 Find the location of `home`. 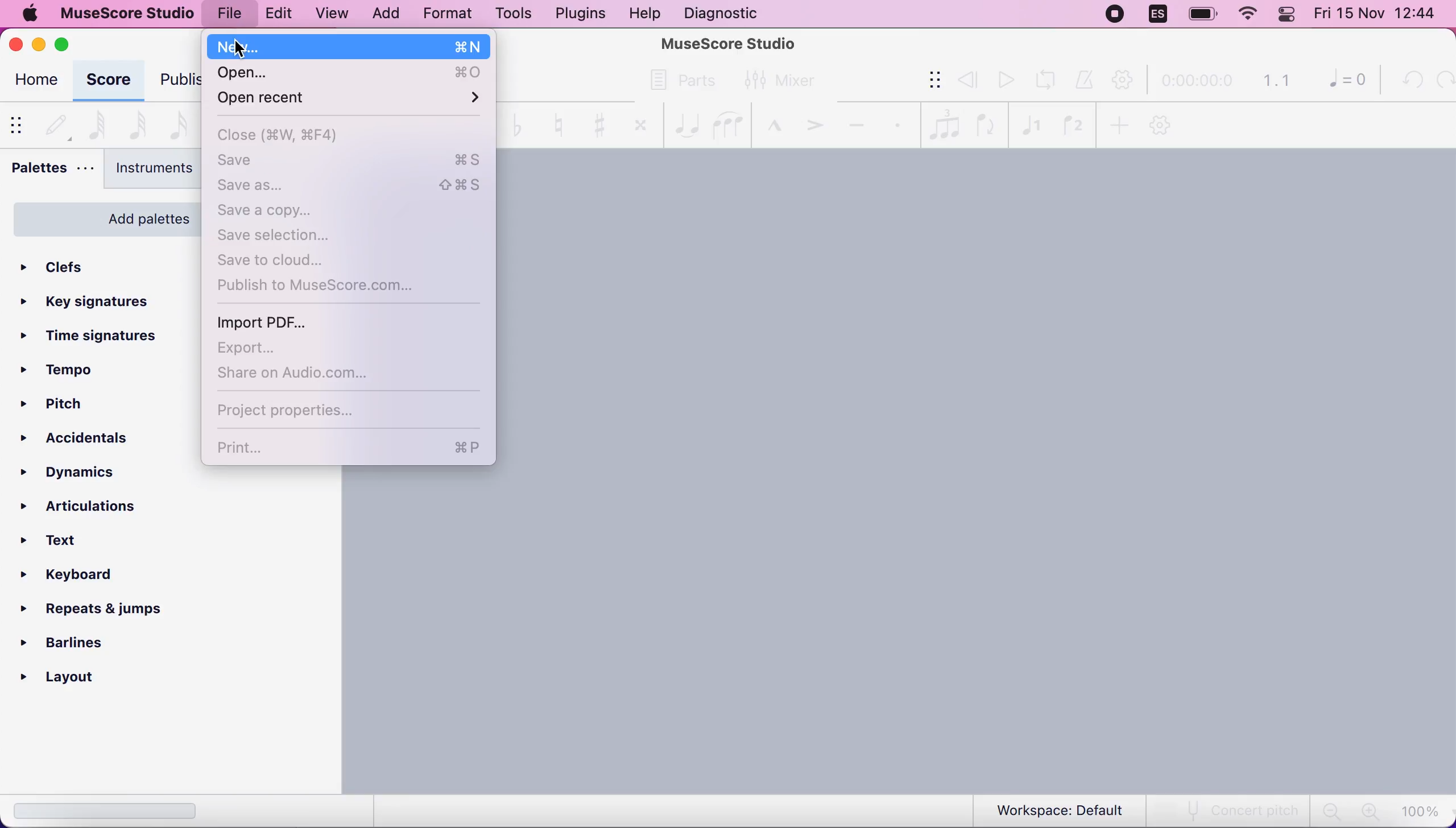

home is located at coordinates (35, 82).